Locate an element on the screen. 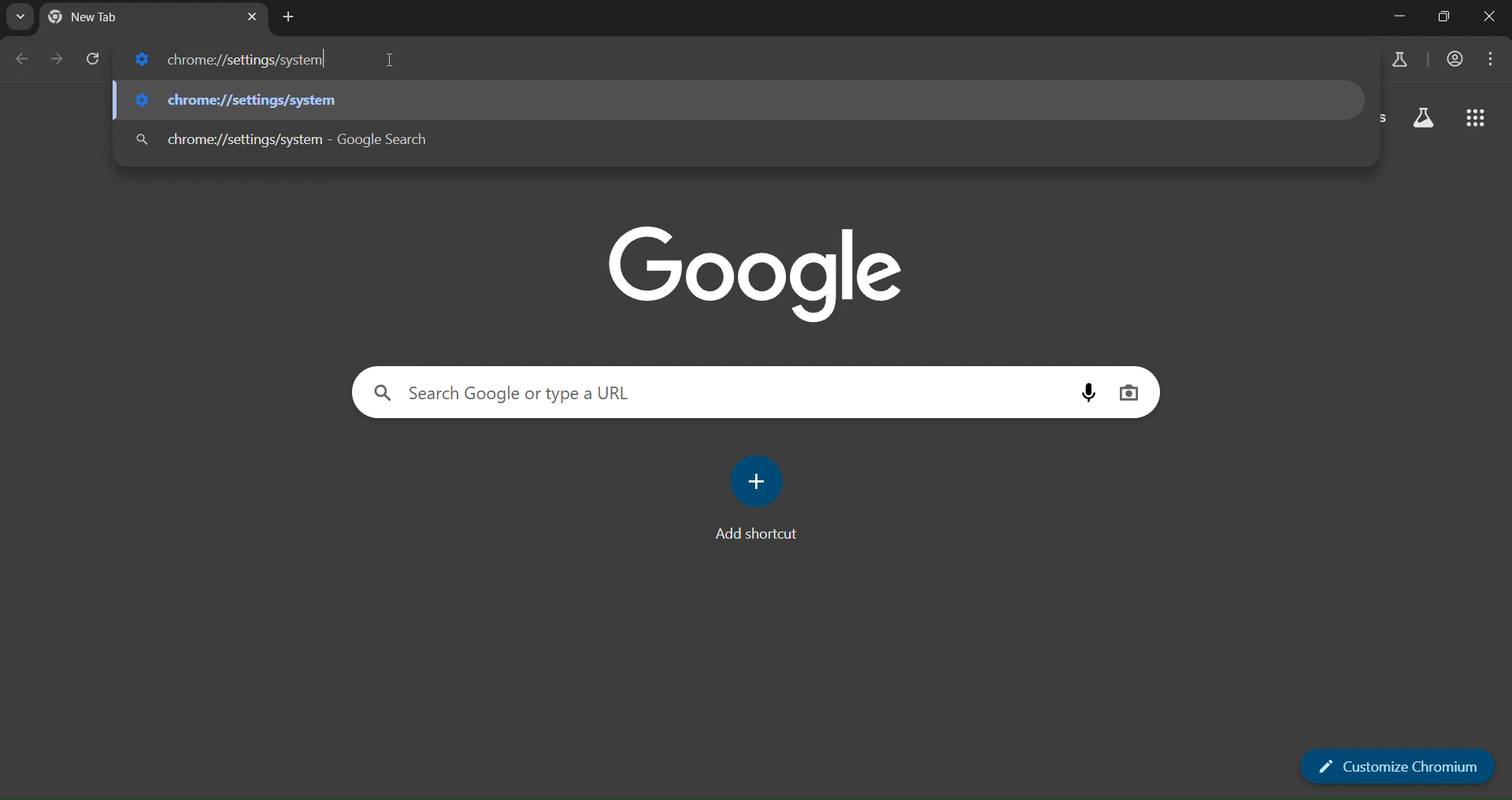 Image resolution: width=1512 pixels, height=800 pixels. accounts is located at coordinates (1458, 59).